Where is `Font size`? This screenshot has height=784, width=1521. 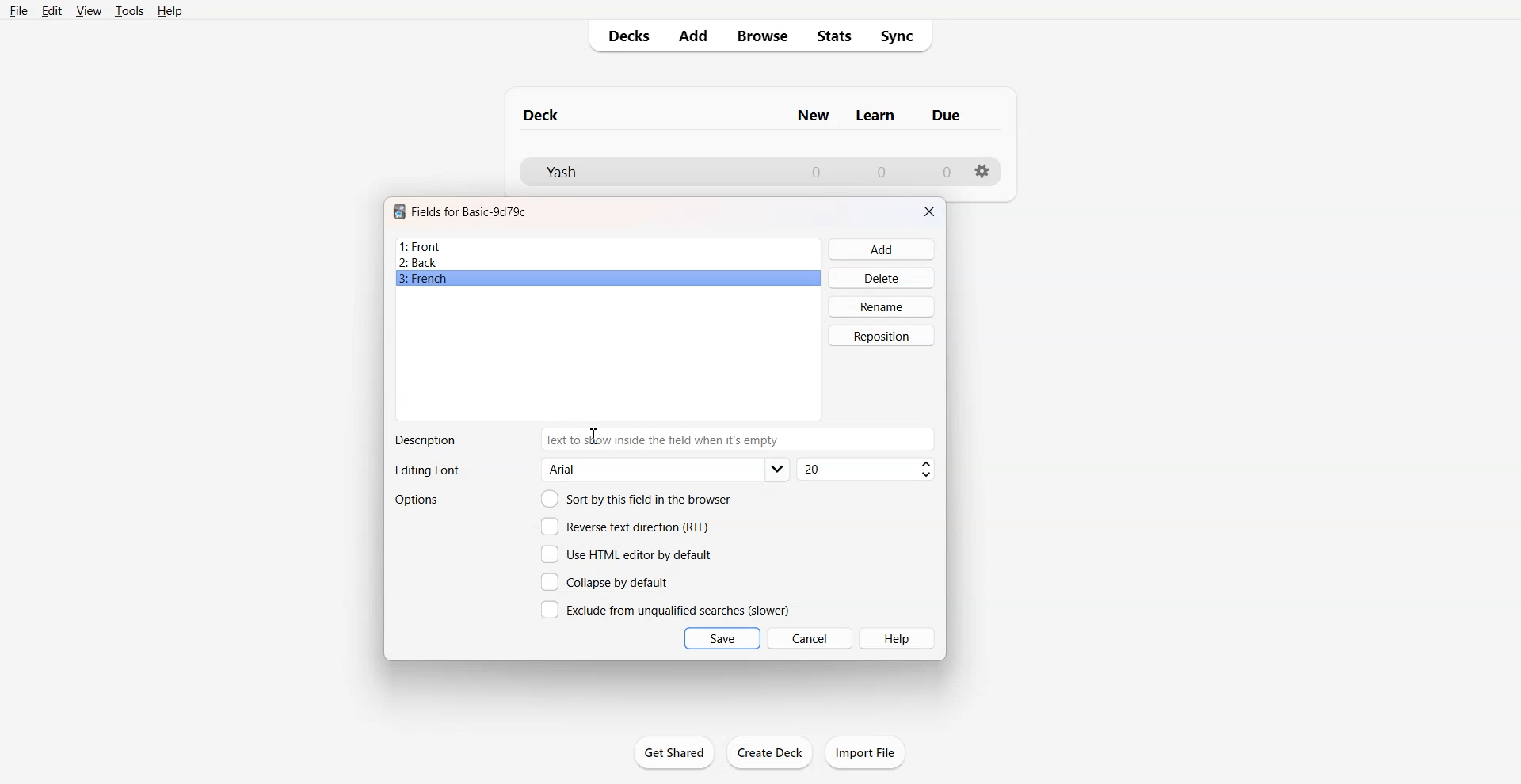
Font size is located at coordinates (867, 470).